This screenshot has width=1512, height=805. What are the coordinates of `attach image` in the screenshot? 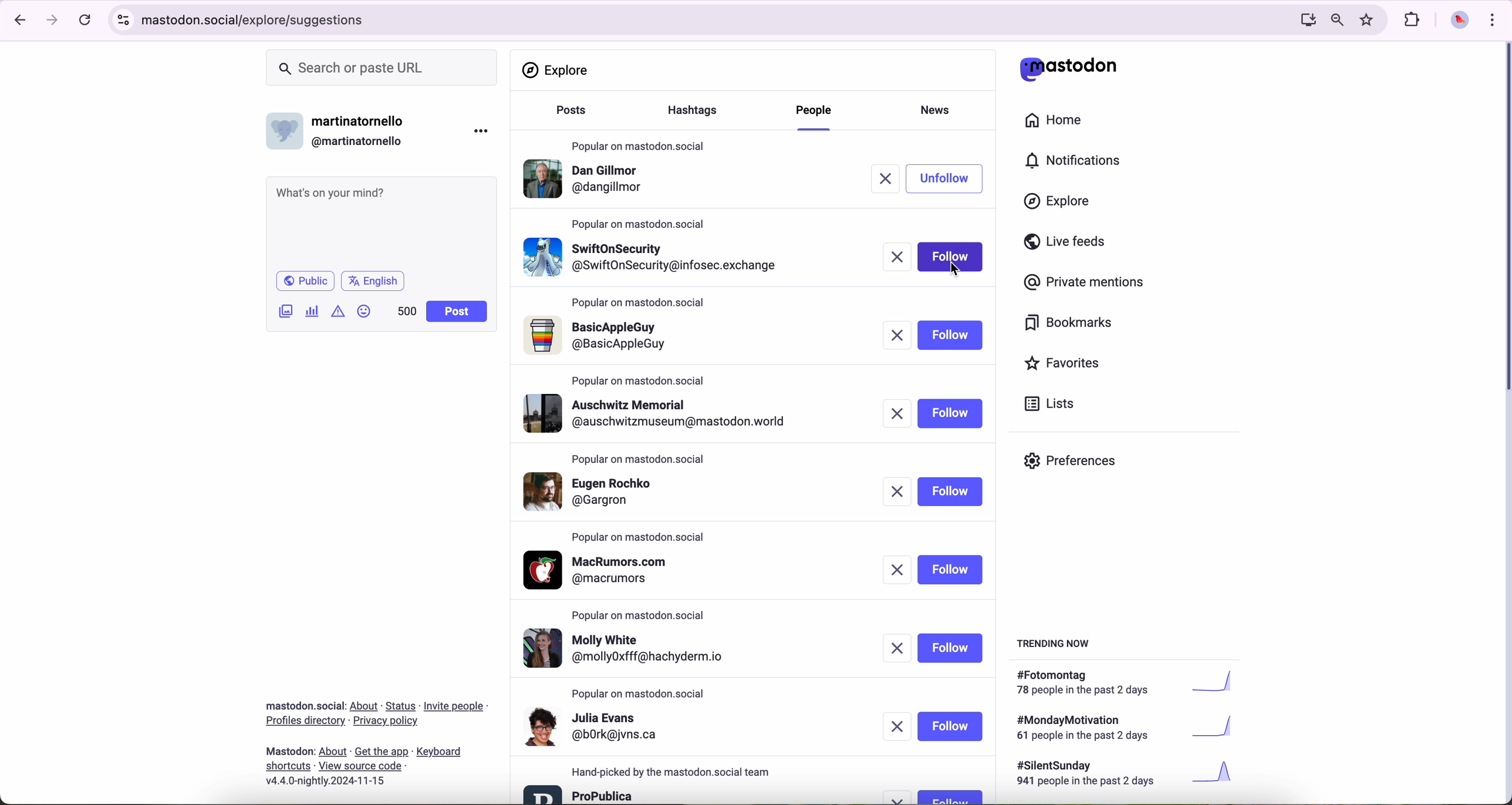 It's located at (286, 311).